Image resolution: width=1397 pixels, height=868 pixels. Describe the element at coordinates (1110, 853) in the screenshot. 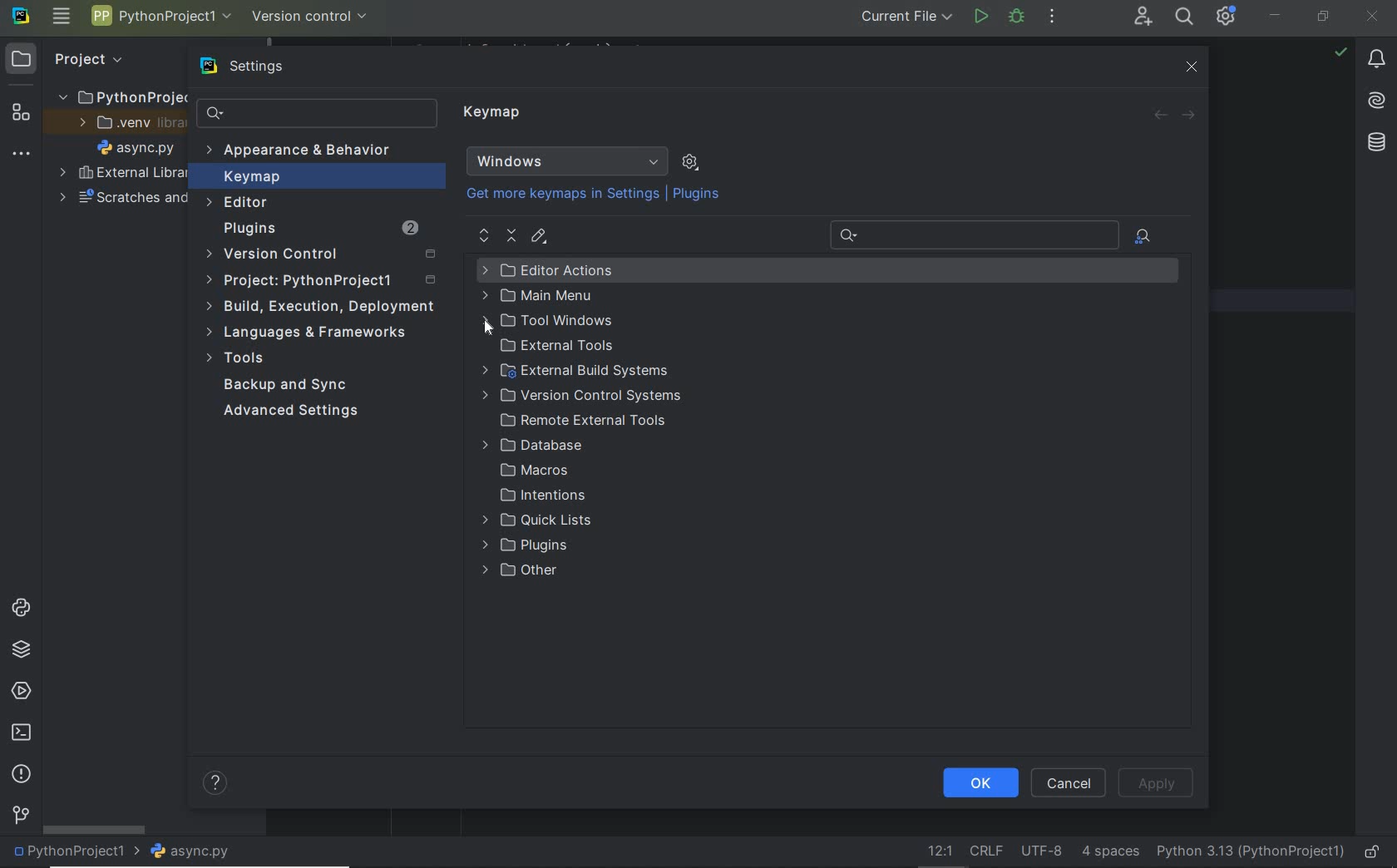

I see `Indent` at that location.